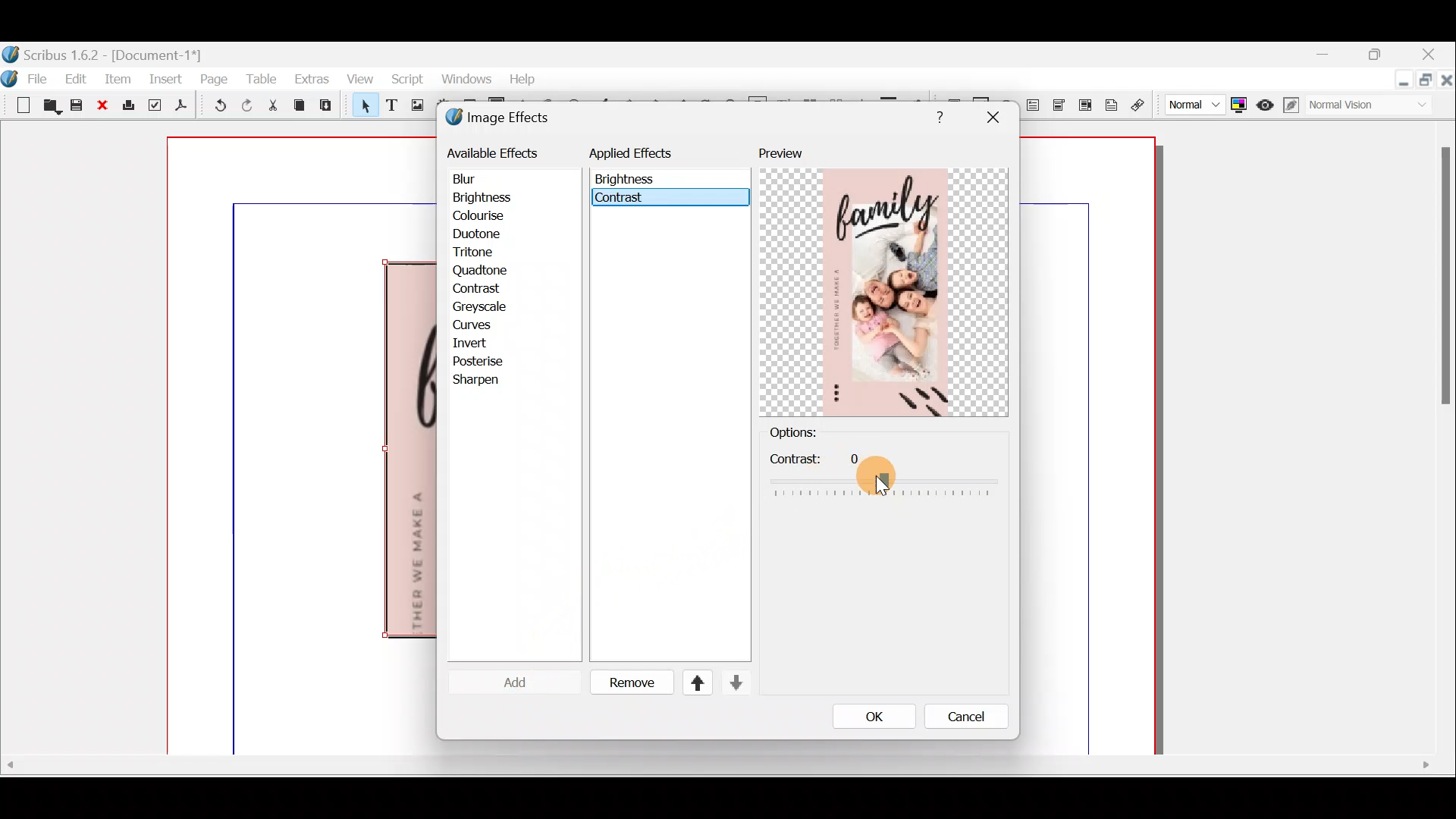  I want to click on Open, so click(49, 108).